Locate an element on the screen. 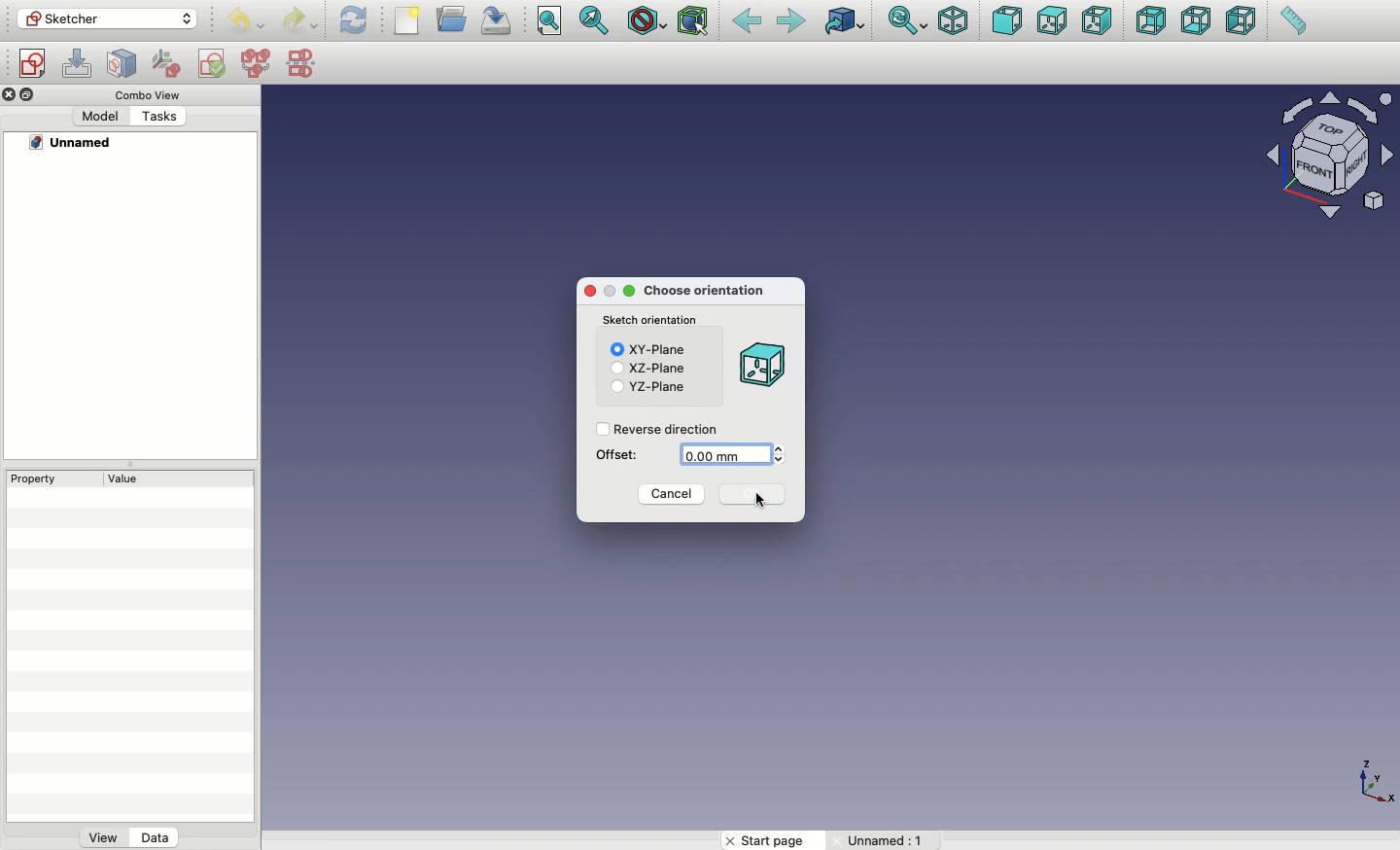 The image size is (1400, 850). Maximize is located at coordinates (609, 292).